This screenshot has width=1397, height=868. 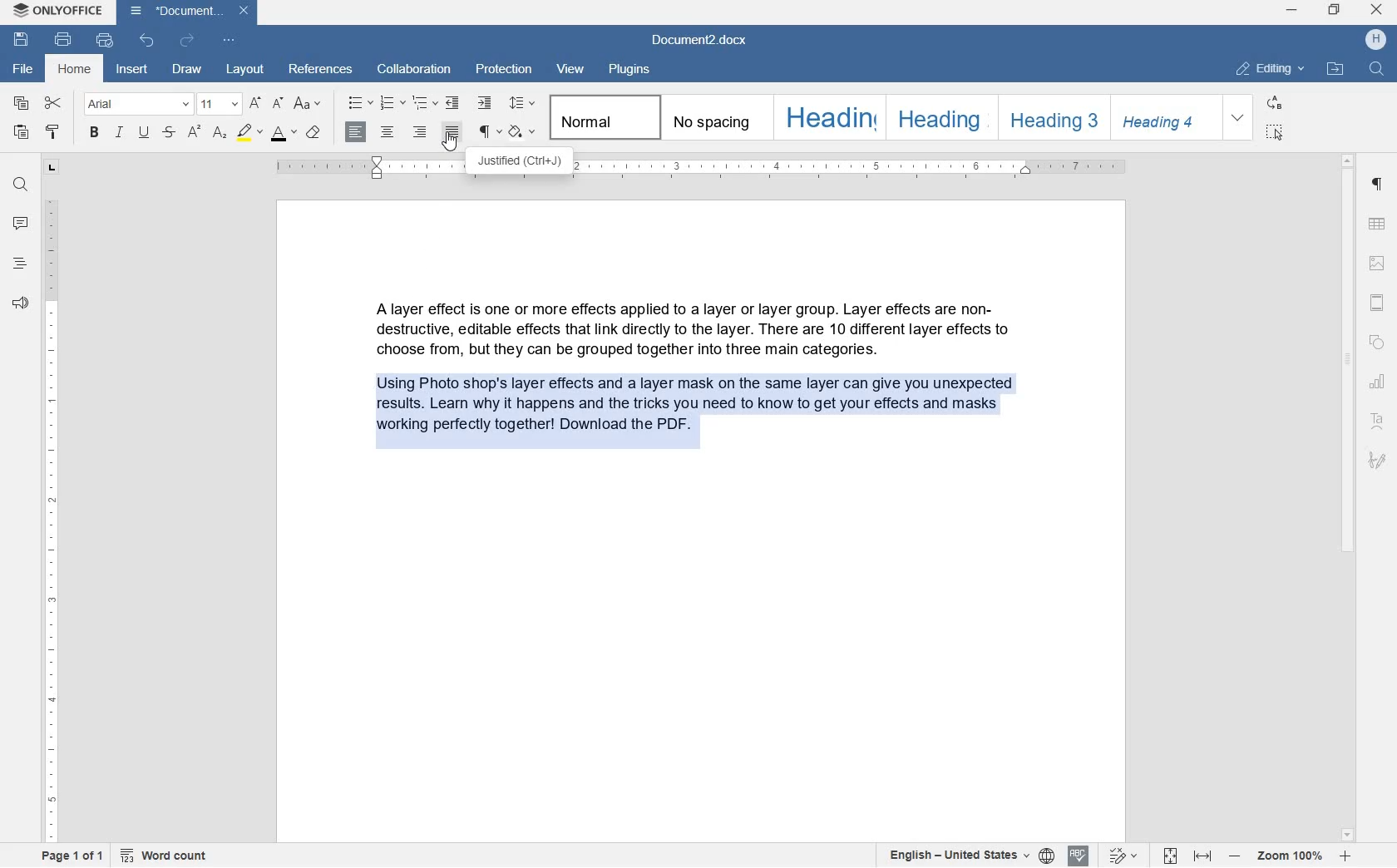 I want to click on VIEW, so click(x=568, y=69).